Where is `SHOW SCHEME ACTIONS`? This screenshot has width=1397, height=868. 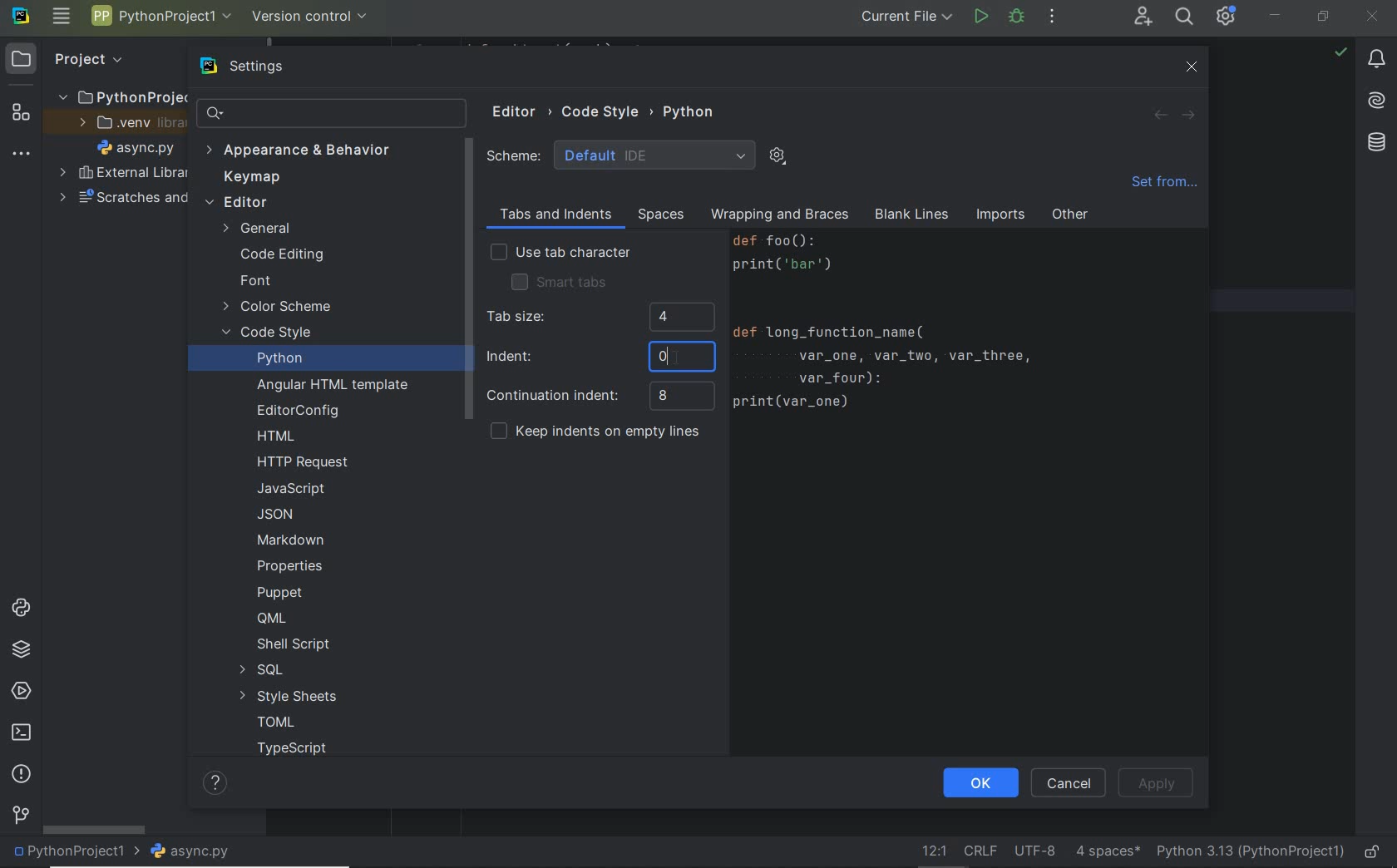
SHOW SCHEME ACTIONS is located at coordinates (778, 157).